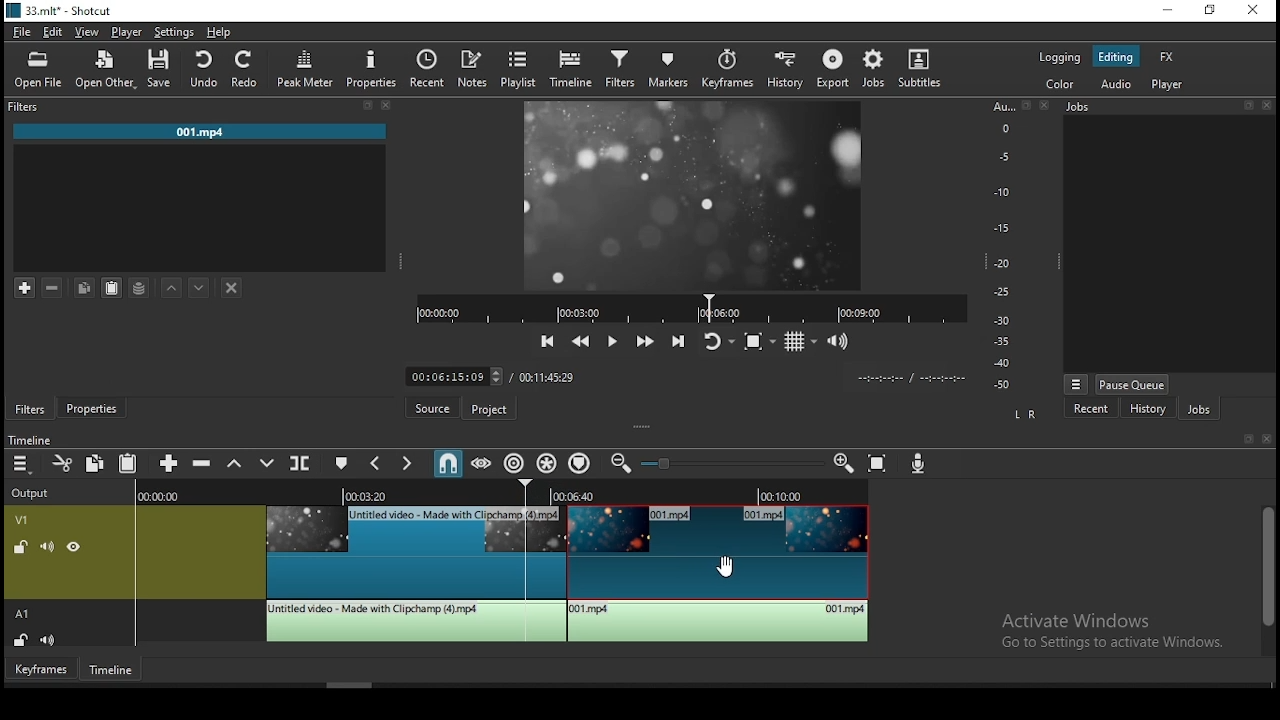 This screenshot has width=1280, height=720. I want to click on audio clip, so click(414, 621).